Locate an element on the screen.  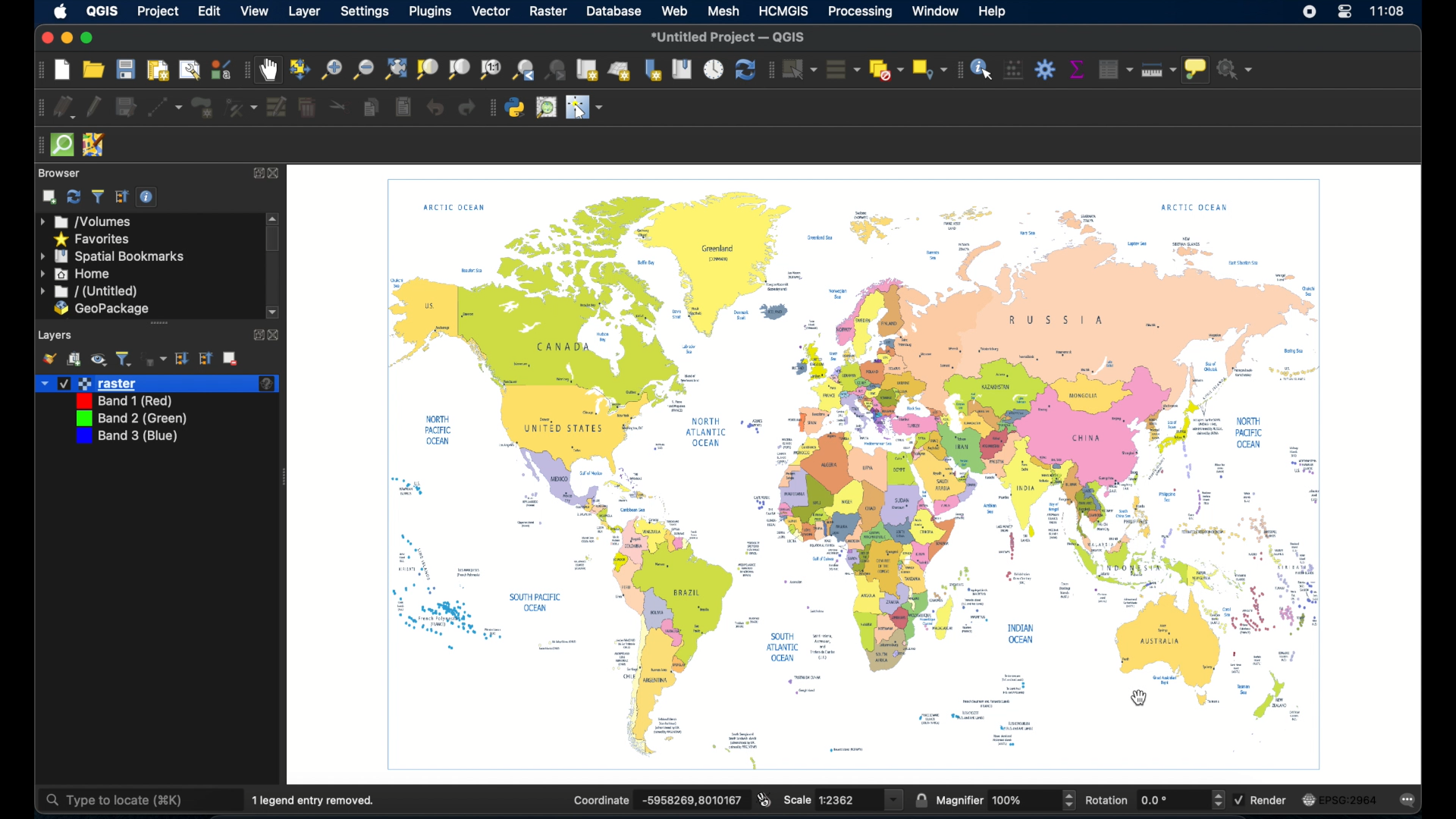
render is located at coordinates (1272, 801).